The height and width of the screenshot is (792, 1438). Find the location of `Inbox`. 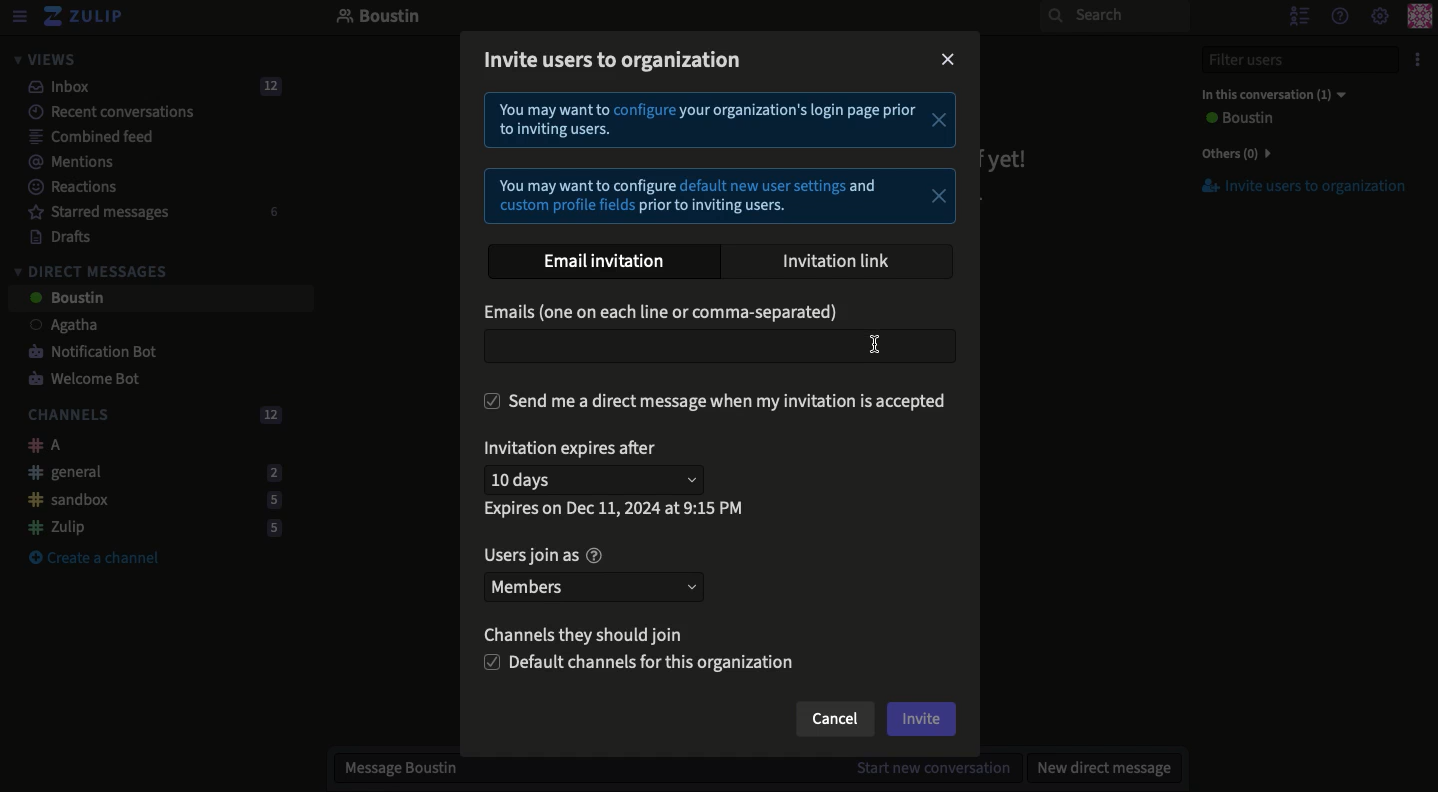

Inbox is located at coordinates (146, 87).